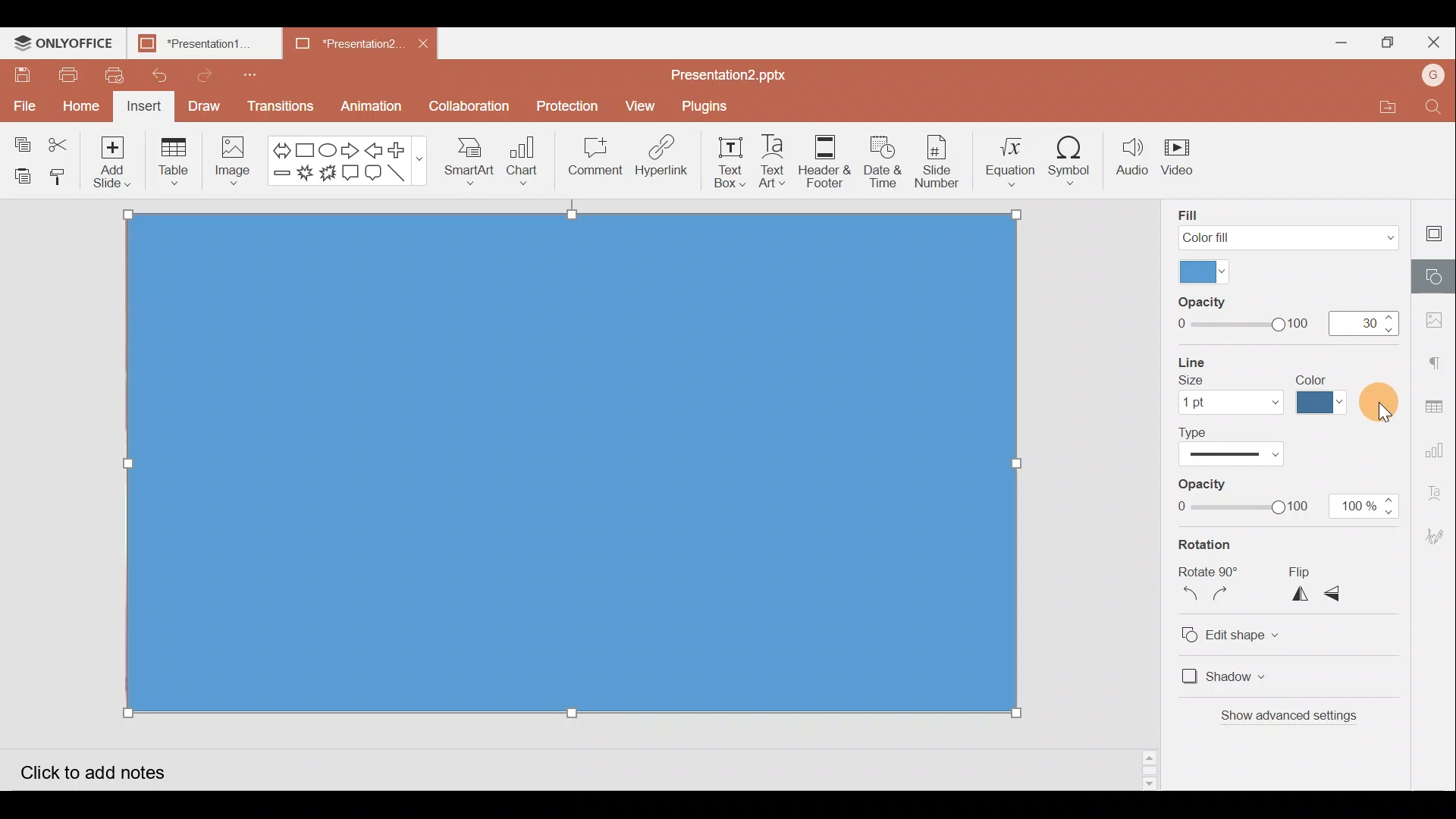  What do you see at coordinates (1182, 162) in the screenshot?
I see `Video` at bounding box center [1182, 162].